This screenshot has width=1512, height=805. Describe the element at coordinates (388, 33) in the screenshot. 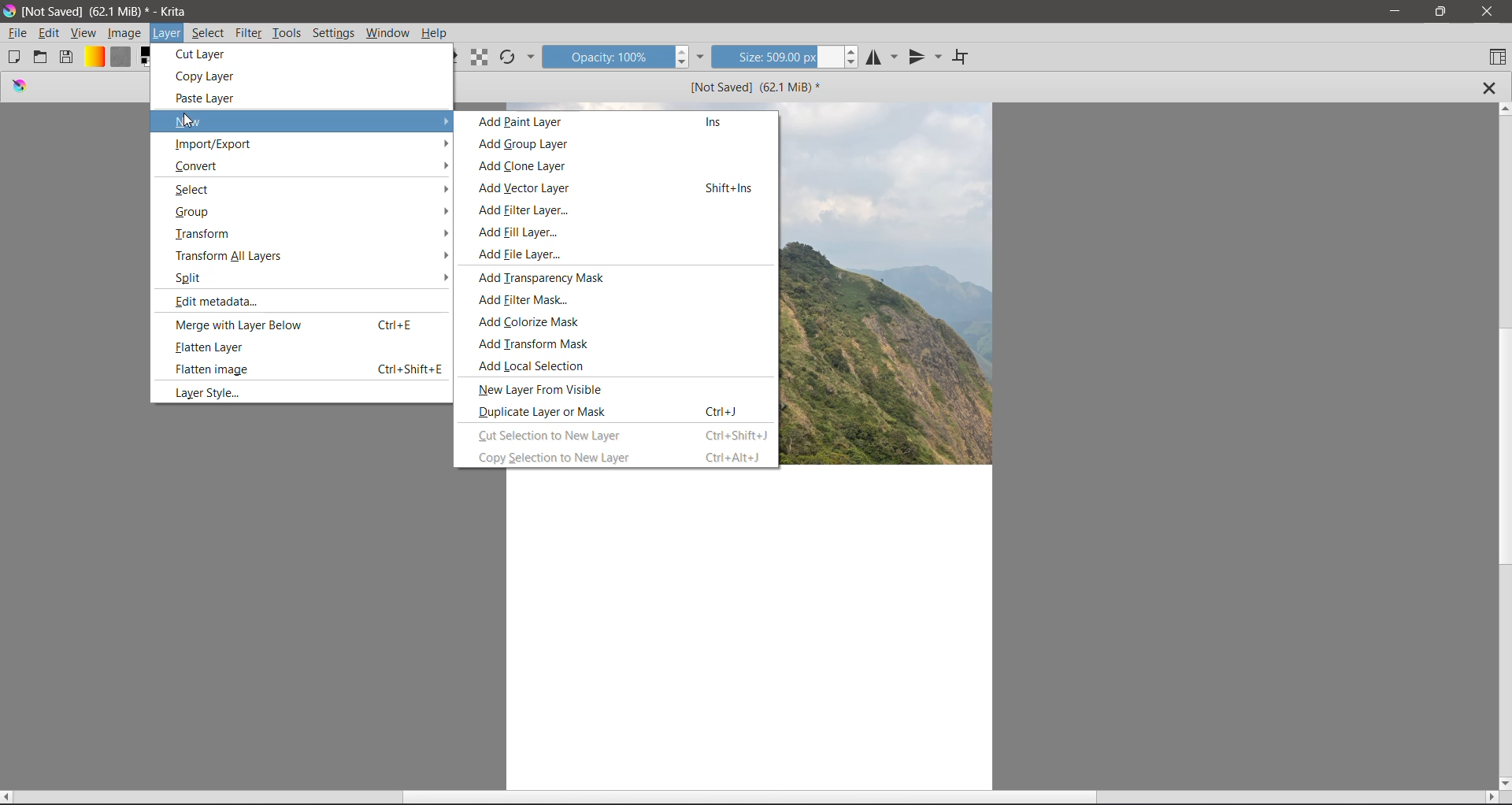

I see `Windows` at that location.